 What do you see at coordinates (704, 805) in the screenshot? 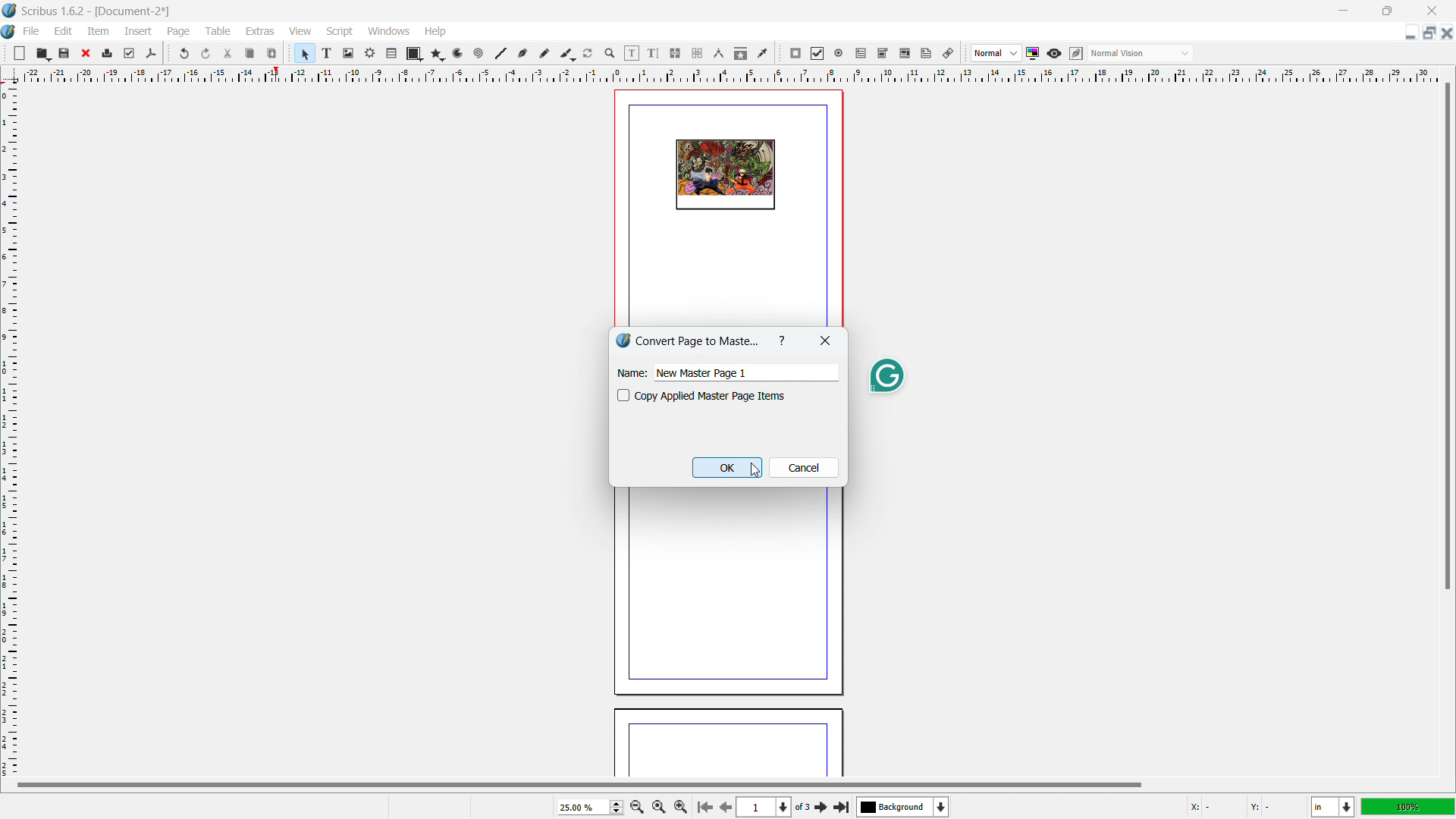
I see `first page` at bounding box center [704, 805].